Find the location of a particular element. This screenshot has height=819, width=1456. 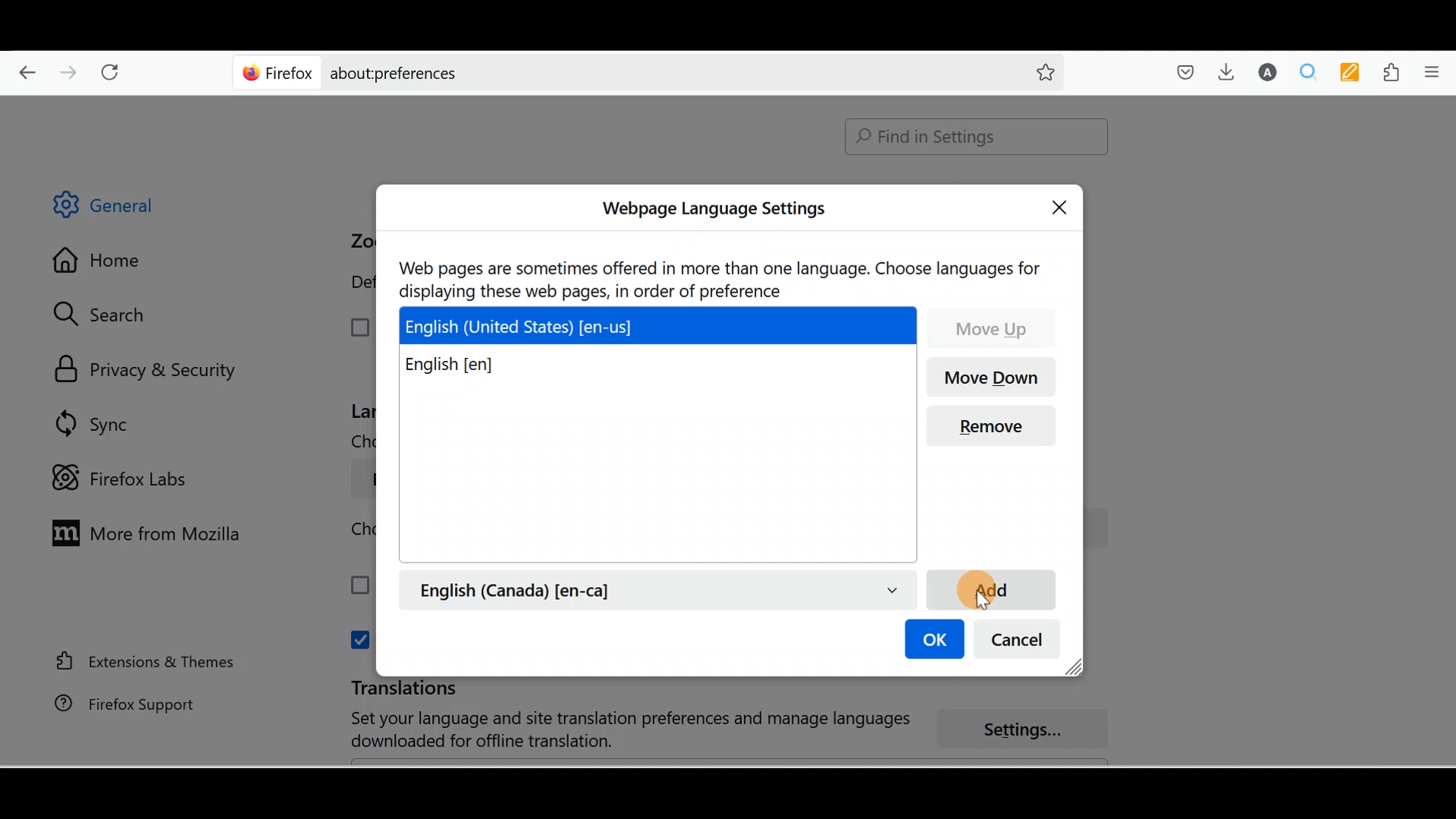

Firefox support is located at coordinates (115, 704).